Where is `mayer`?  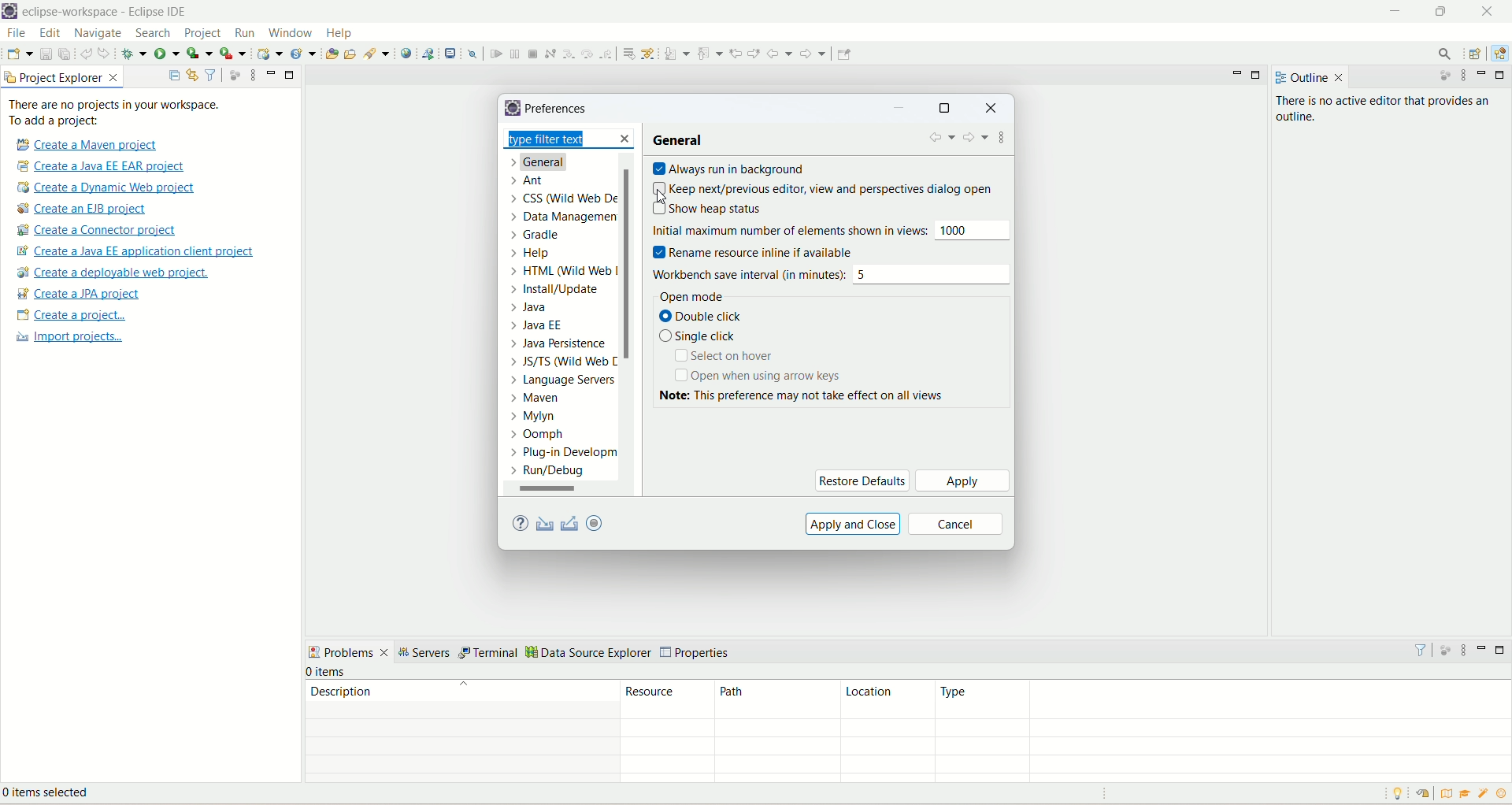
mayer is located at coordinates (539, 400).